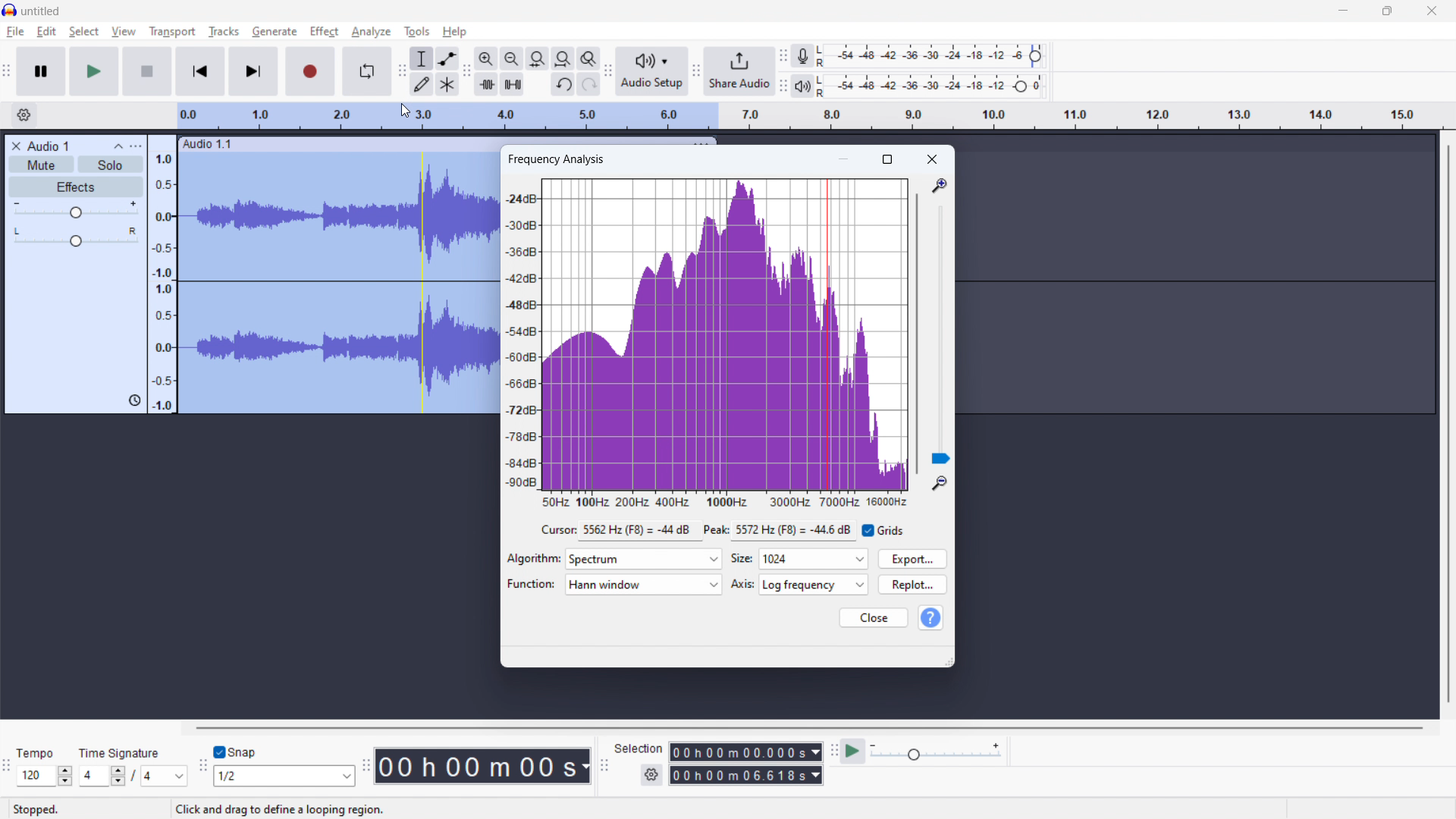 Image resolution: width=1456 pixels, height=819 pixels. Describe the element at coordinates (111, 165) in the screenshot. I see `solo` at that location.